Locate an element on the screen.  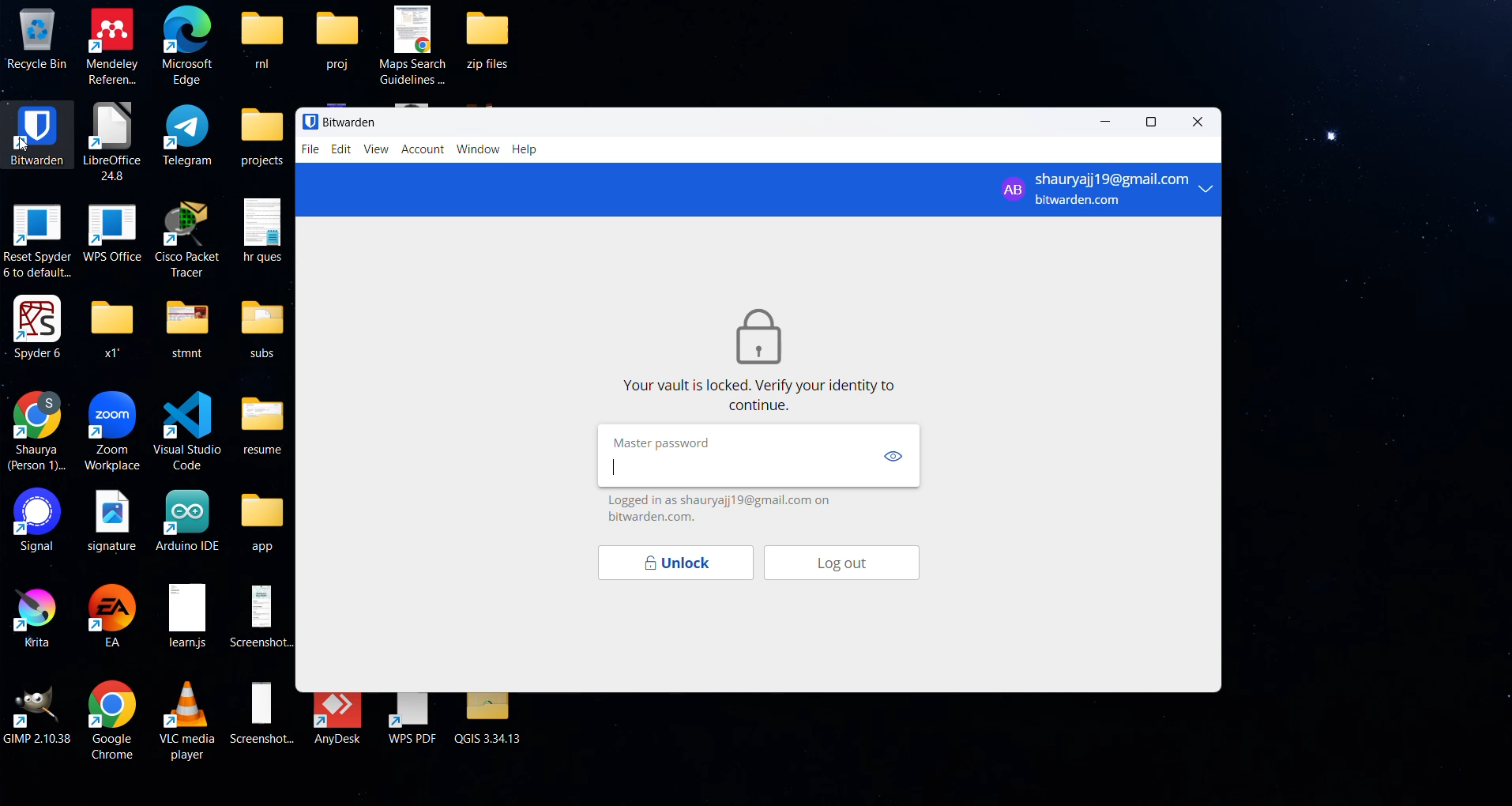
maximize is located at coordinates (1155, 122).